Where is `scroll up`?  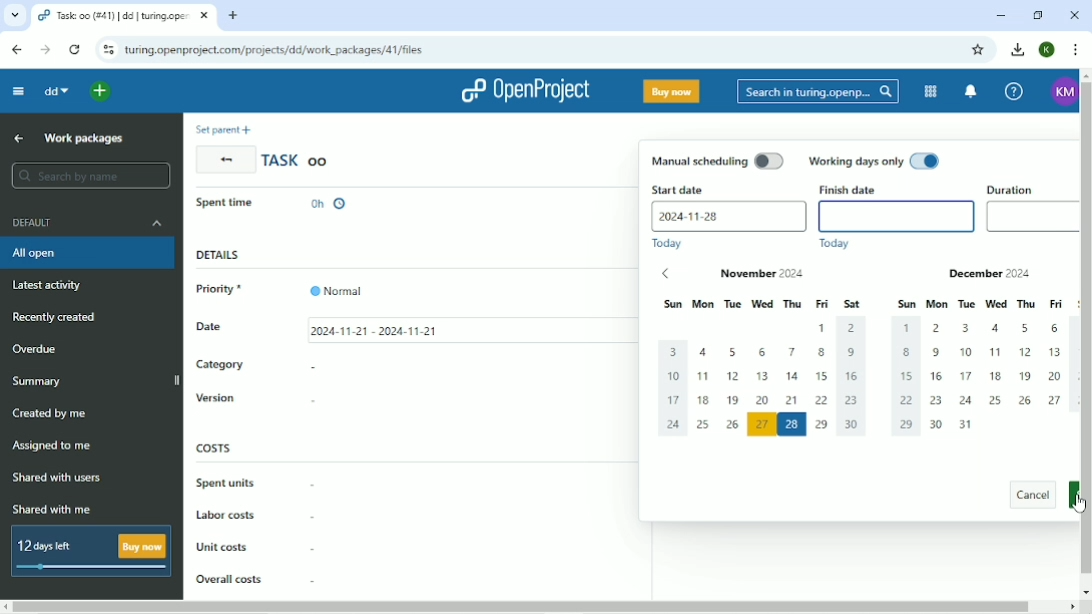
scroll up is located at coordinates (1085, 74).